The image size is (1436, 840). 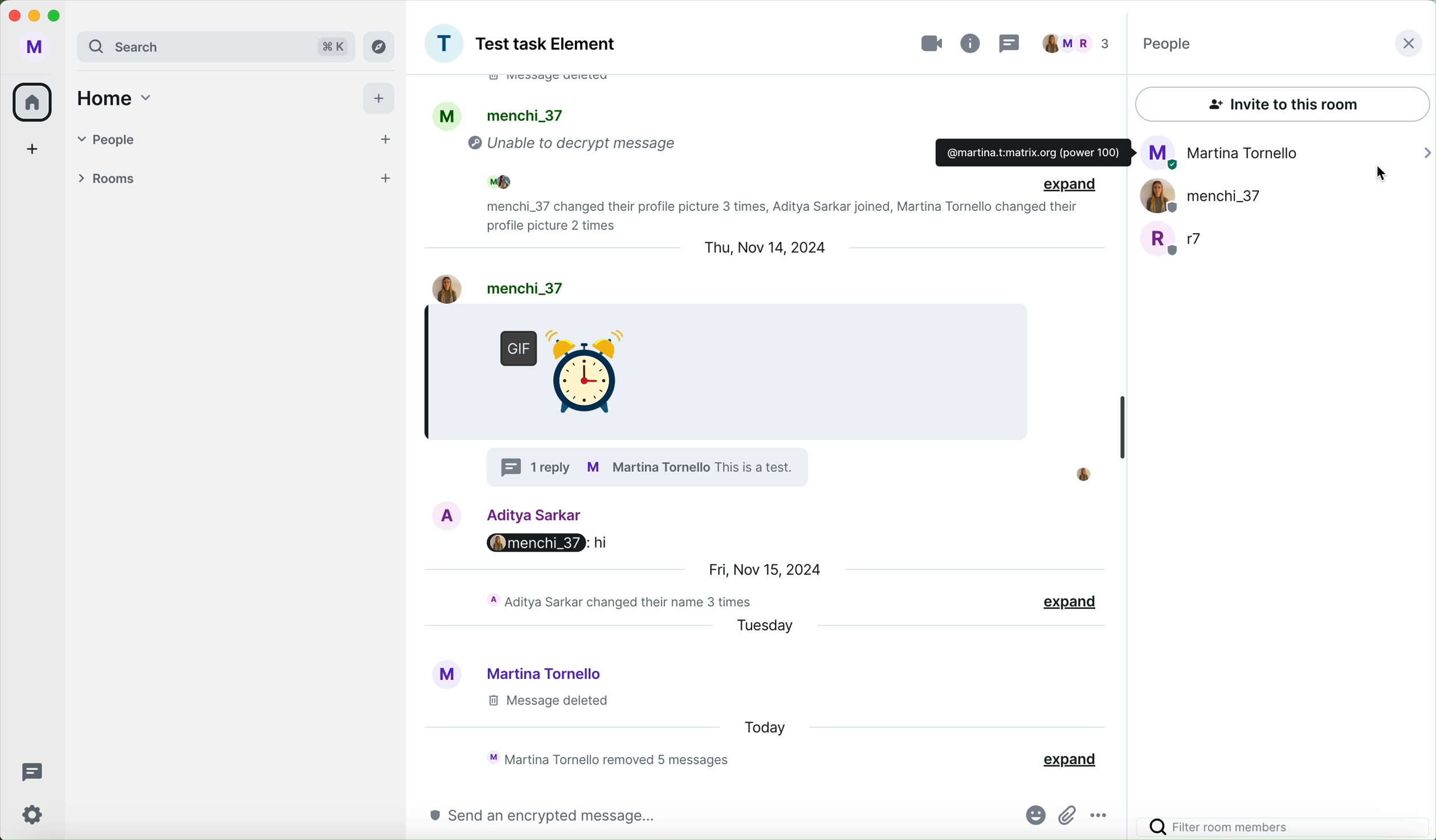 I want to click on r7 user, so click(x=1175, y=239).